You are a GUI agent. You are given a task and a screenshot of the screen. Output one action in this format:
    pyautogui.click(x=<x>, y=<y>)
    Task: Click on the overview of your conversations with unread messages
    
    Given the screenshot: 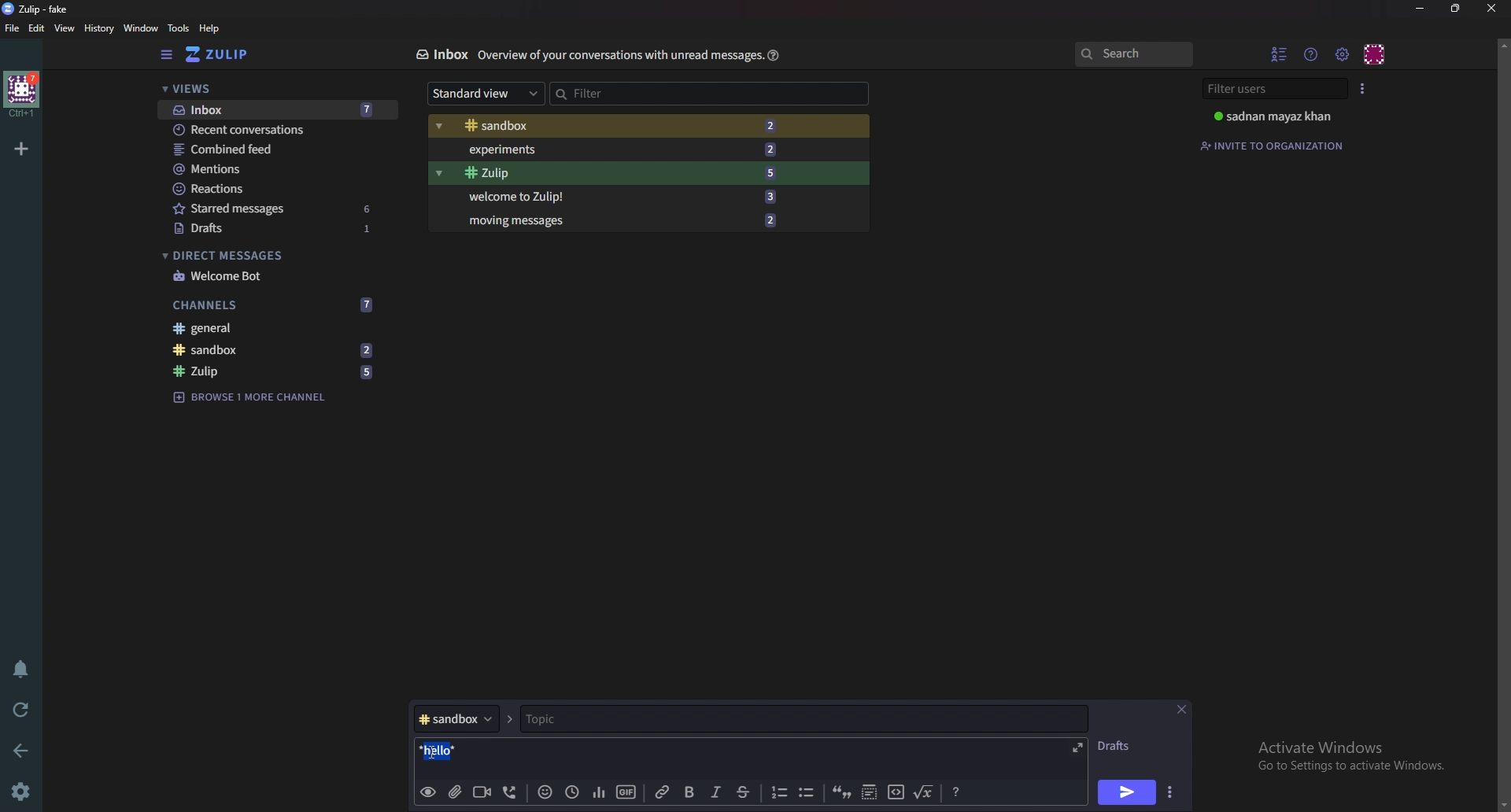 What is the action you would take?
    pyautogui.click(x=619, y=55)
    